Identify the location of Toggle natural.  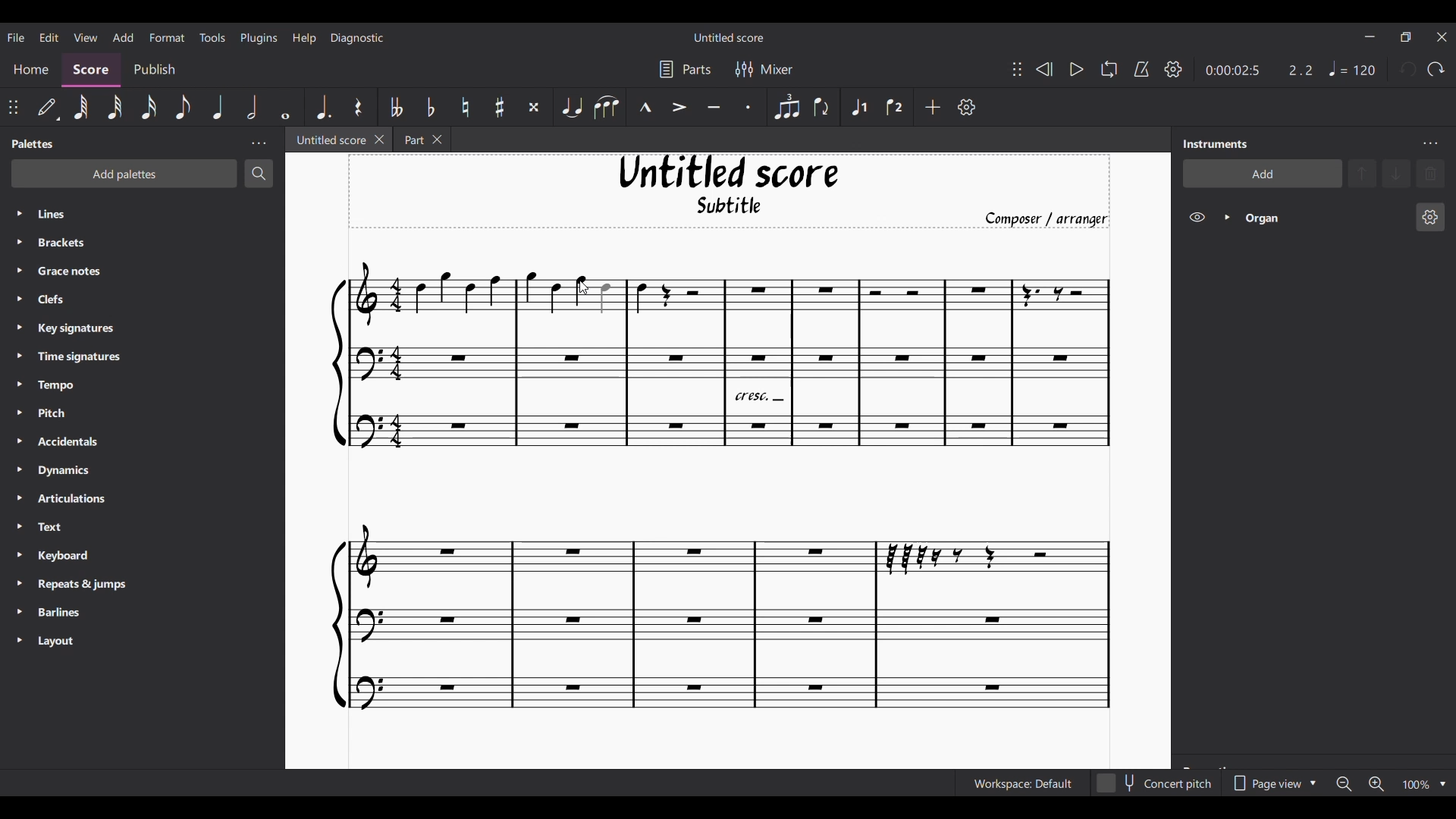
(466, 107).